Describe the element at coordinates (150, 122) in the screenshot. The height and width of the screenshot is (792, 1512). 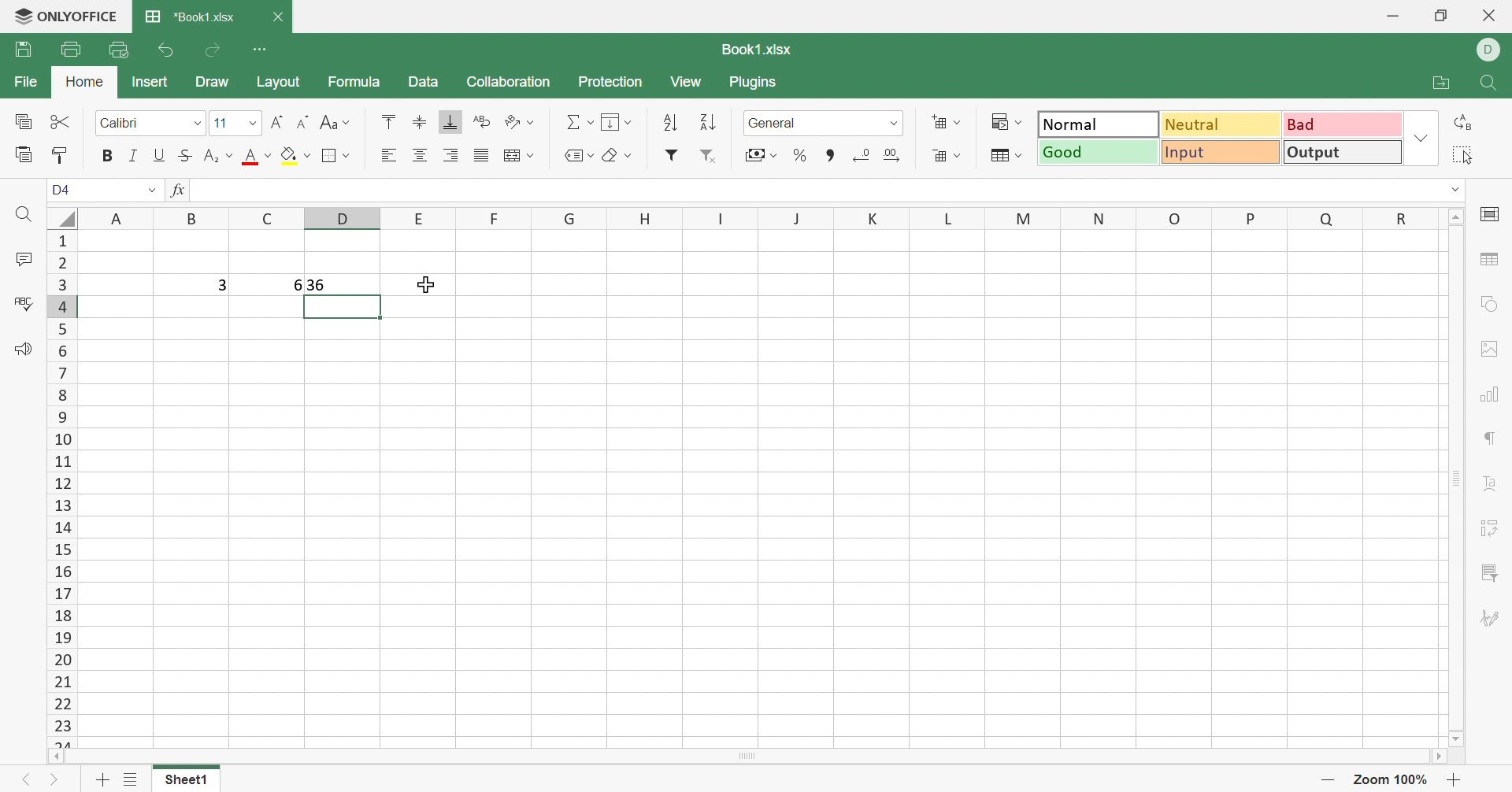
I see `Font` at that location.